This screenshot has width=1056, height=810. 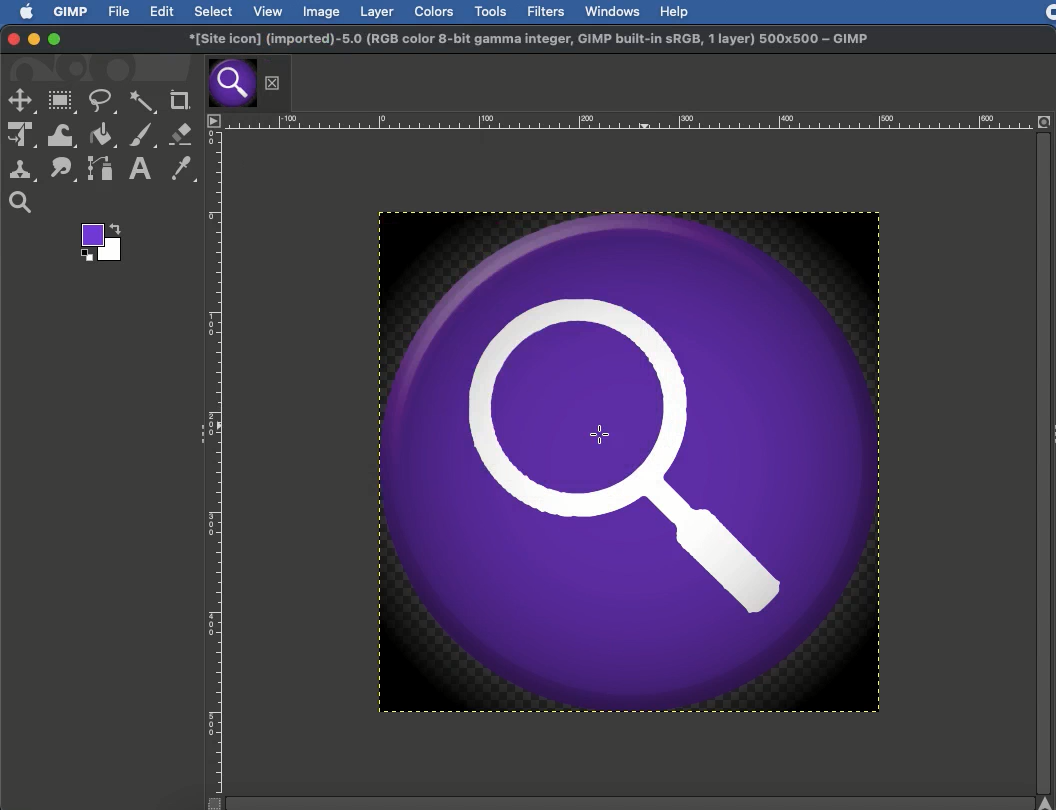 What do you see at coordinates (268, 12) in the screenshot?
I see `View` at bounding box center [268, 12].